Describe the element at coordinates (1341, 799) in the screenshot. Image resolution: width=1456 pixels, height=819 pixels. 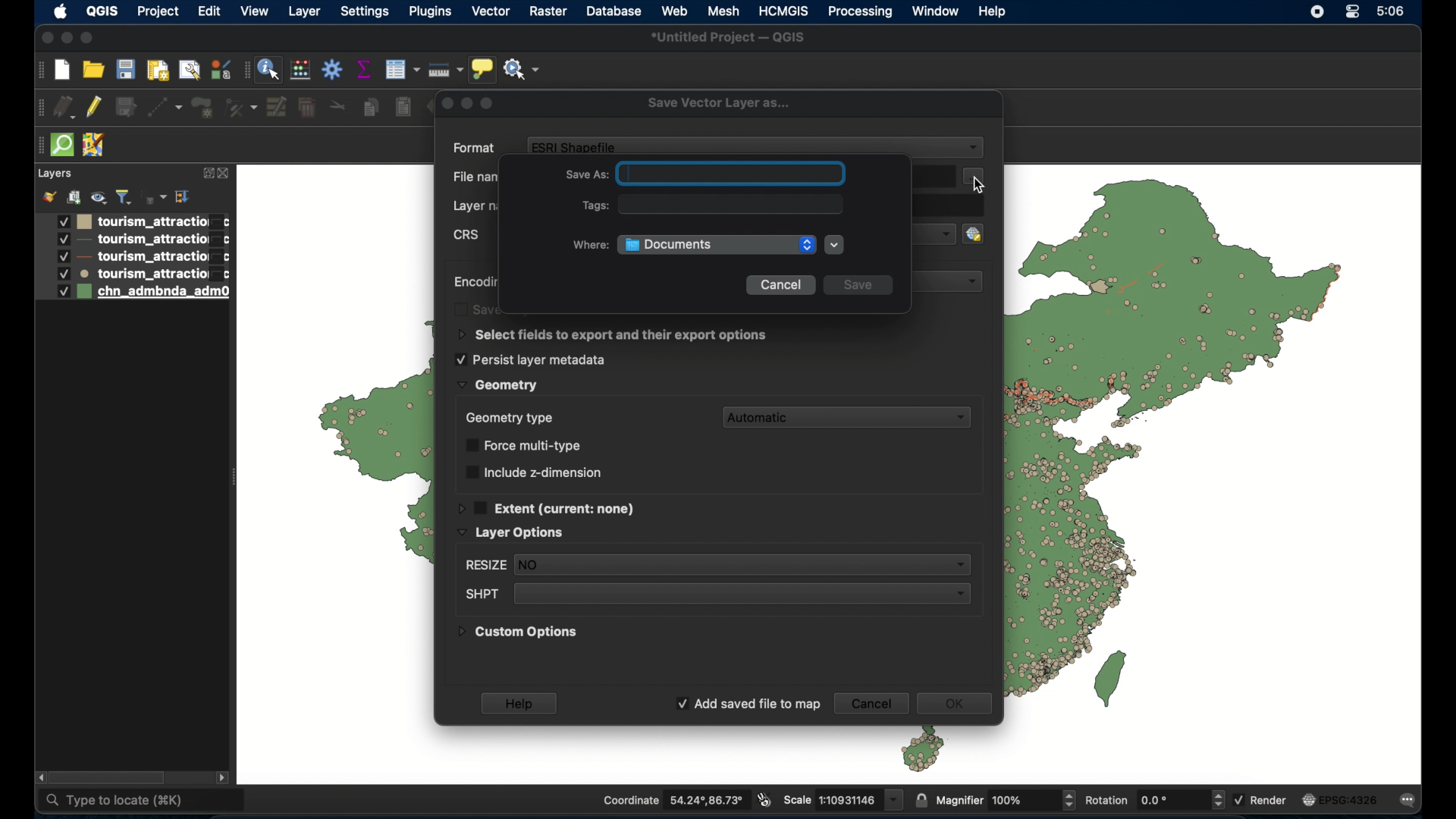
I see `current crs` at that location.